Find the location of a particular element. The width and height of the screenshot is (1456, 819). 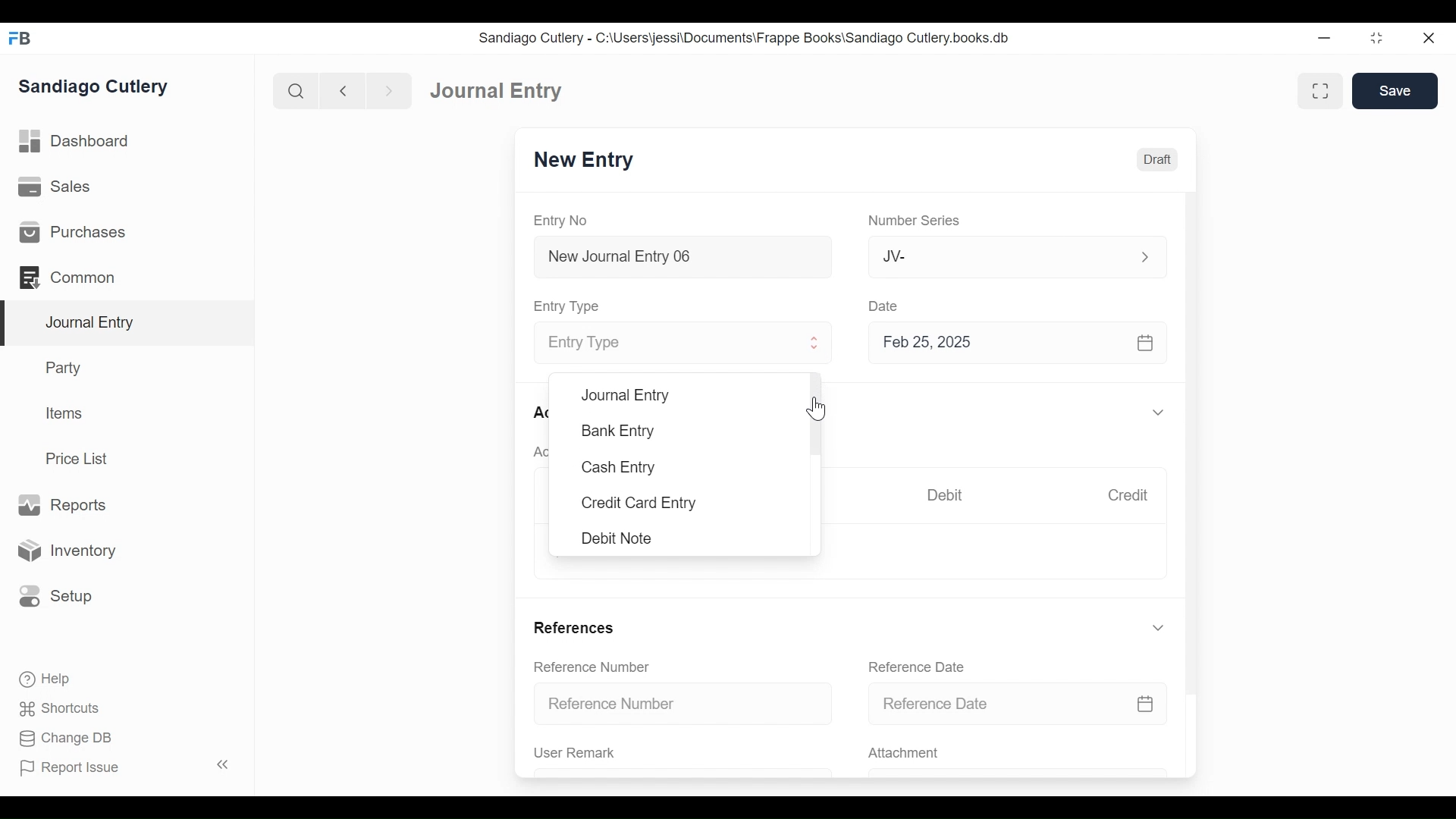

Feb 25, 2025 is located at coordinates (1011, 342).